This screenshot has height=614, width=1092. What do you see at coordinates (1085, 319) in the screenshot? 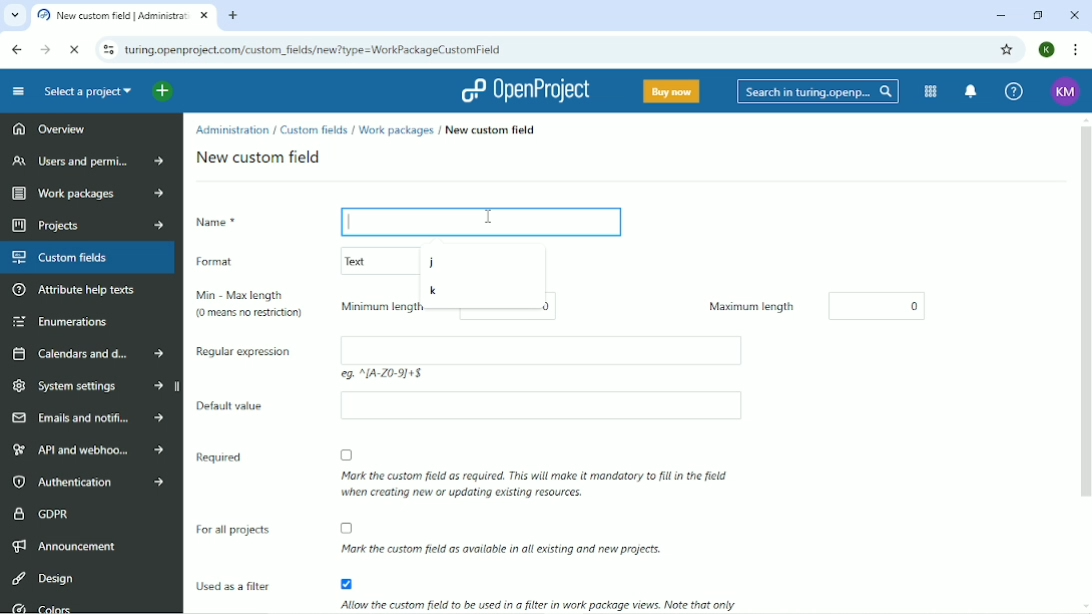
I see `Vertical scrollbar` at bounding box center [1085, 319].